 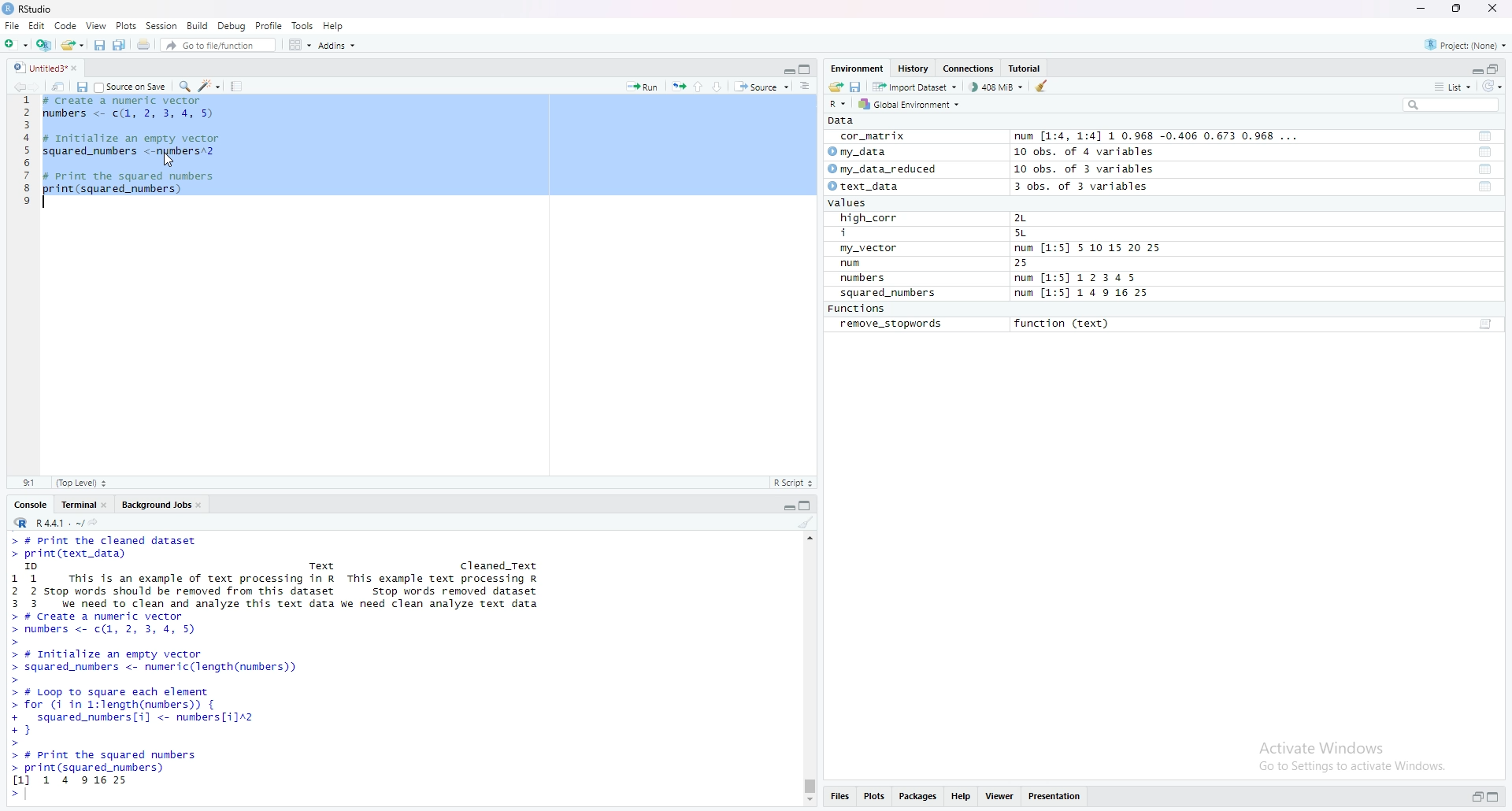 What do you see at coordinates (970, 69) in the screenshot?
I see `Connections` at bounding box center [970, 69].